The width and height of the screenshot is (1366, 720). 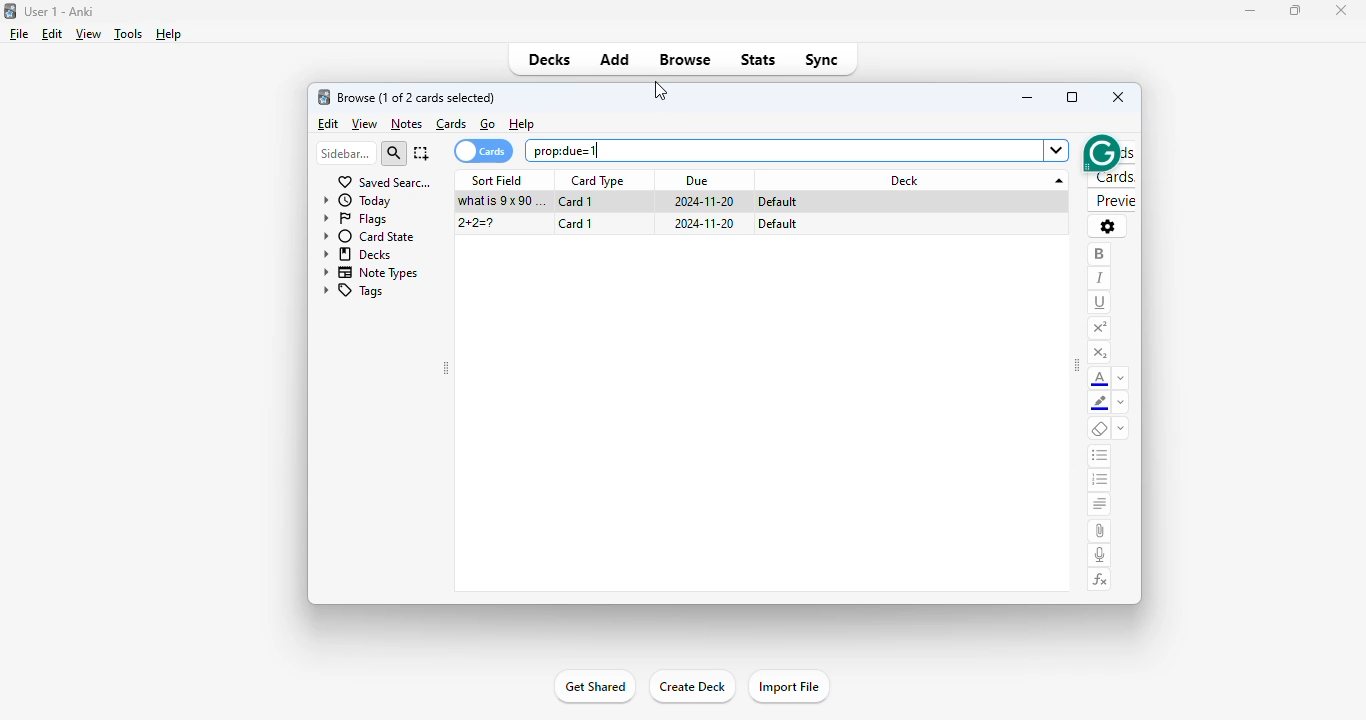 I want to click on cards, so click(x=1112, y=177).